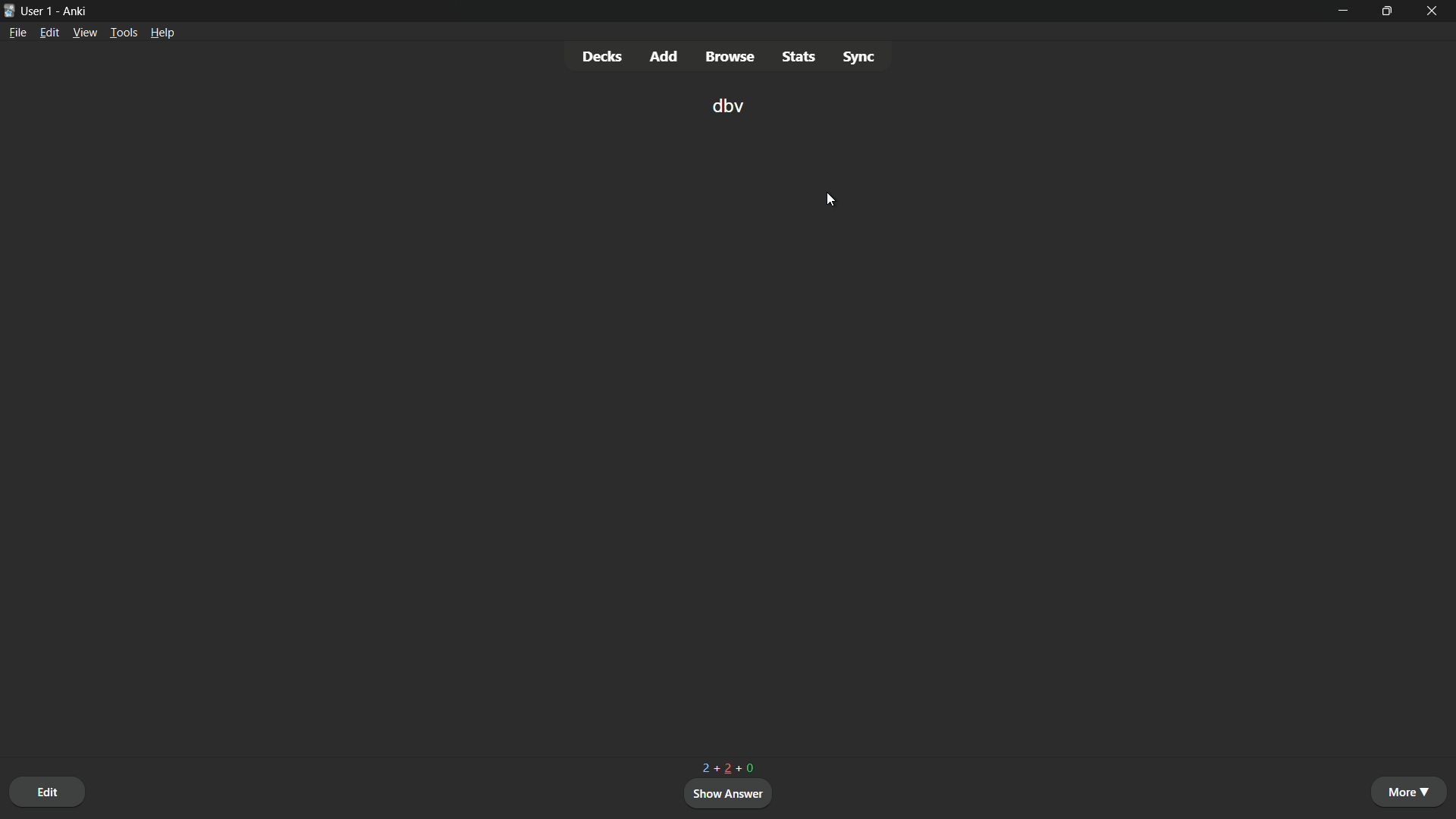  Describe the element at coordinates (667, 57) in the screenshot. I see `add` at that location.